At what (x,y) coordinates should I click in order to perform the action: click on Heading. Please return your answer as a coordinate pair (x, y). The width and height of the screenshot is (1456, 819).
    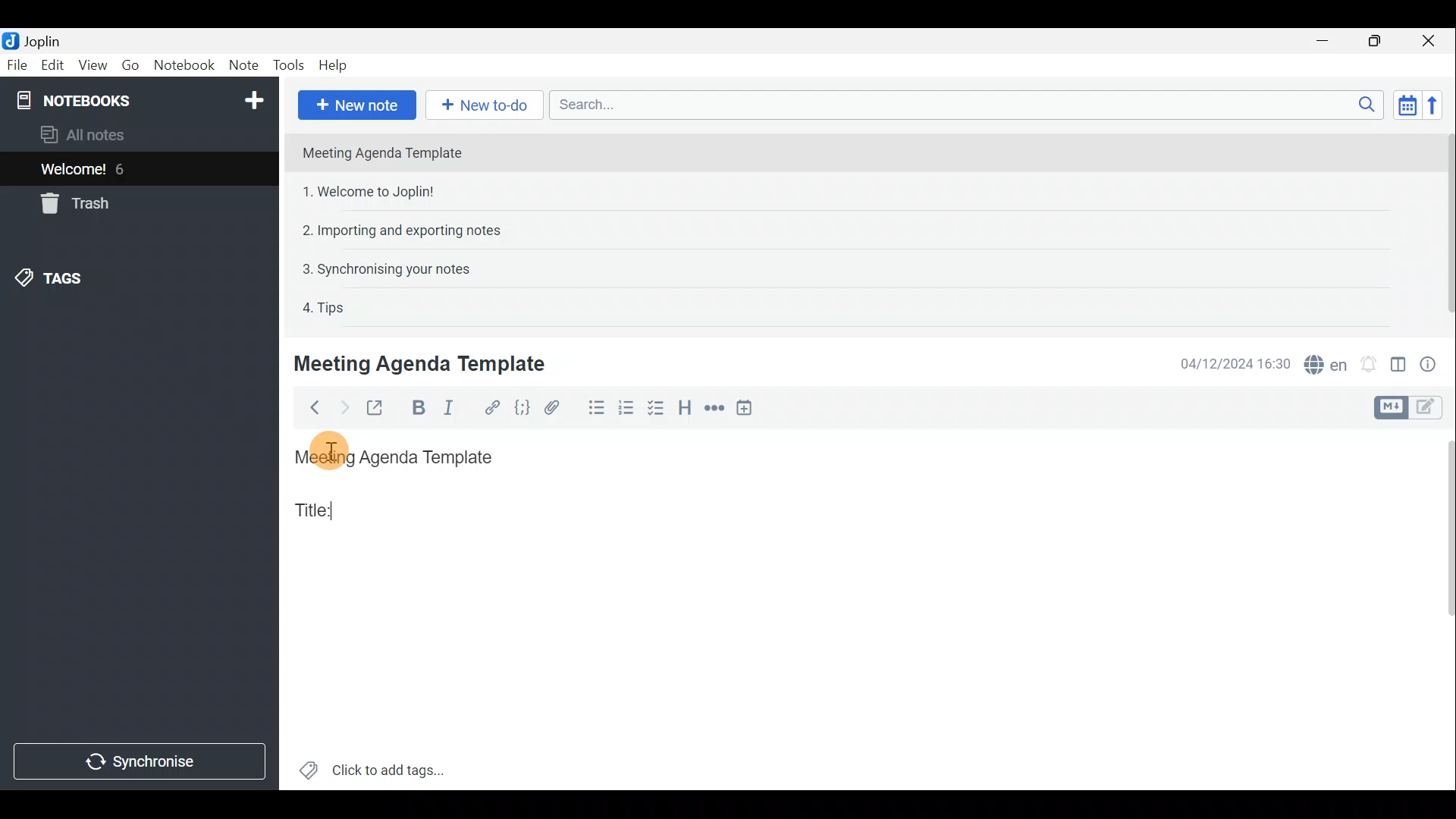
    Looking at the image, I should click on (684, 409).